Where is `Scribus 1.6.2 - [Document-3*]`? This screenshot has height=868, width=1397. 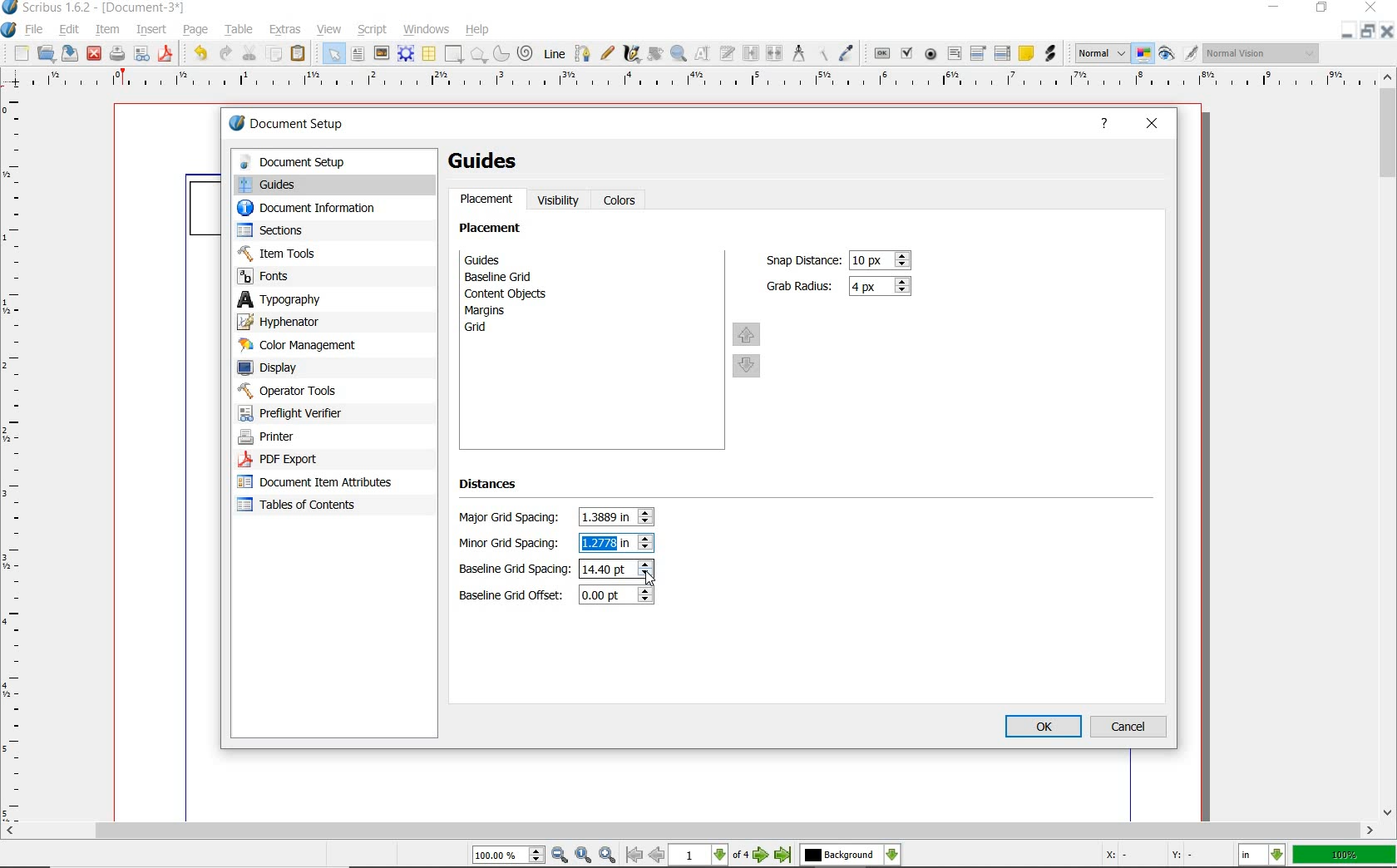
Scribus 1.6.2 - [Document-3*] is located at coordinates (94, 8).